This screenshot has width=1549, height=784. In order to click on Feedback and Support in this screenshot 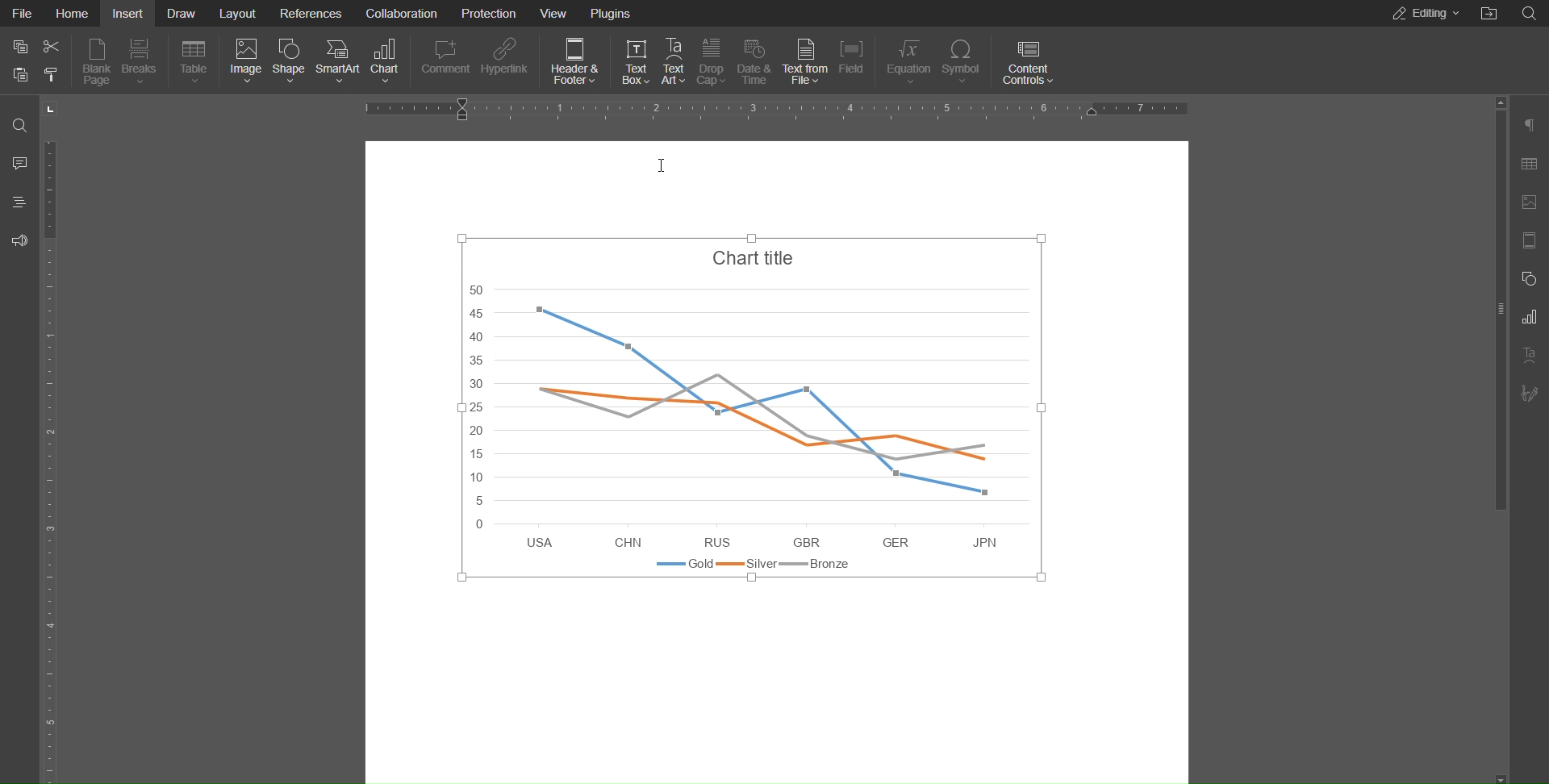, I will do `click(18, 238)`.